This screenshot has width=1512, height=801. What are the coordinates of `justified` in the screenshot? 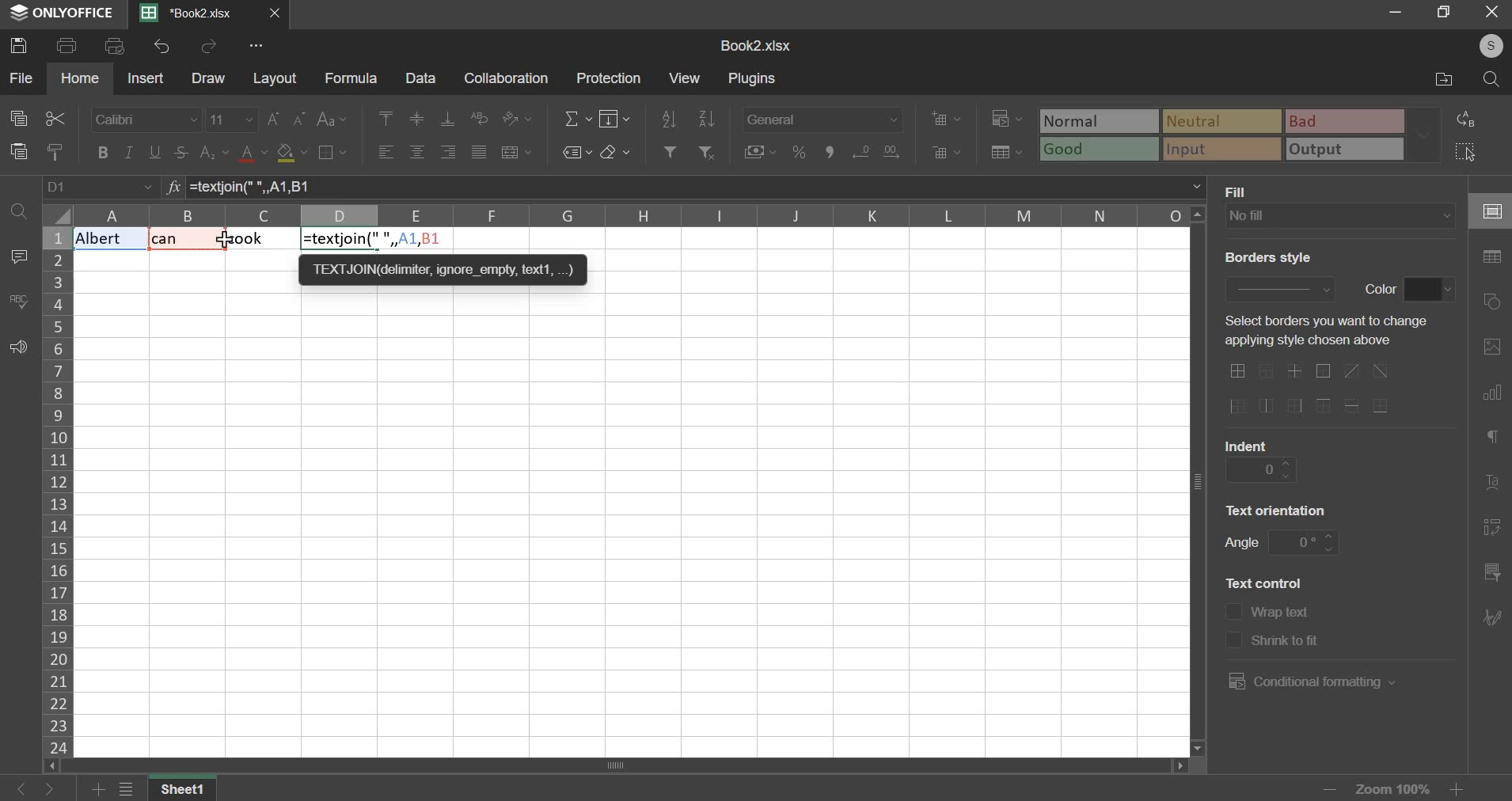 It's located at (478, 151).